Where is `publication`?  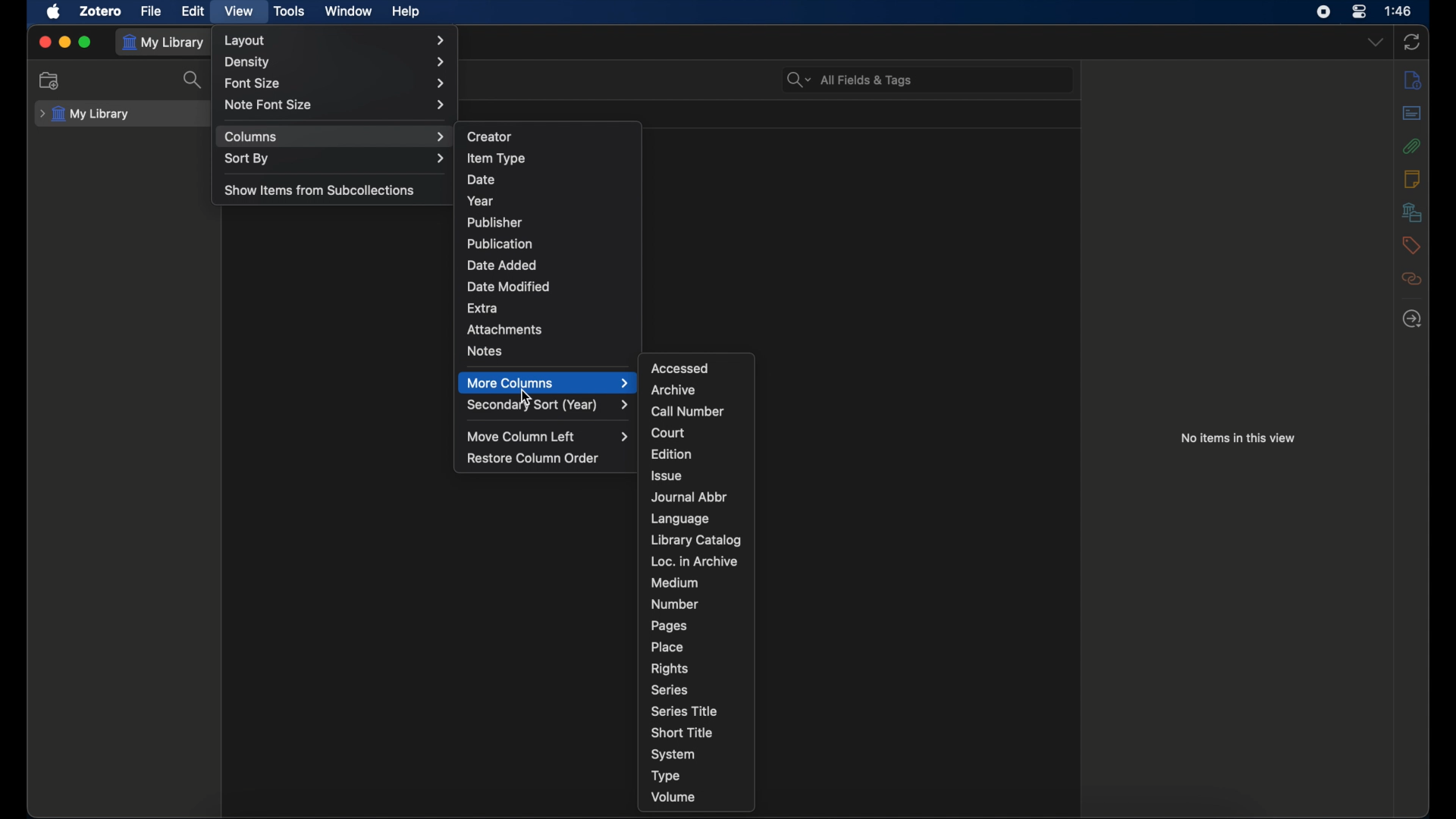
publication is located at coordinates (499, 243).